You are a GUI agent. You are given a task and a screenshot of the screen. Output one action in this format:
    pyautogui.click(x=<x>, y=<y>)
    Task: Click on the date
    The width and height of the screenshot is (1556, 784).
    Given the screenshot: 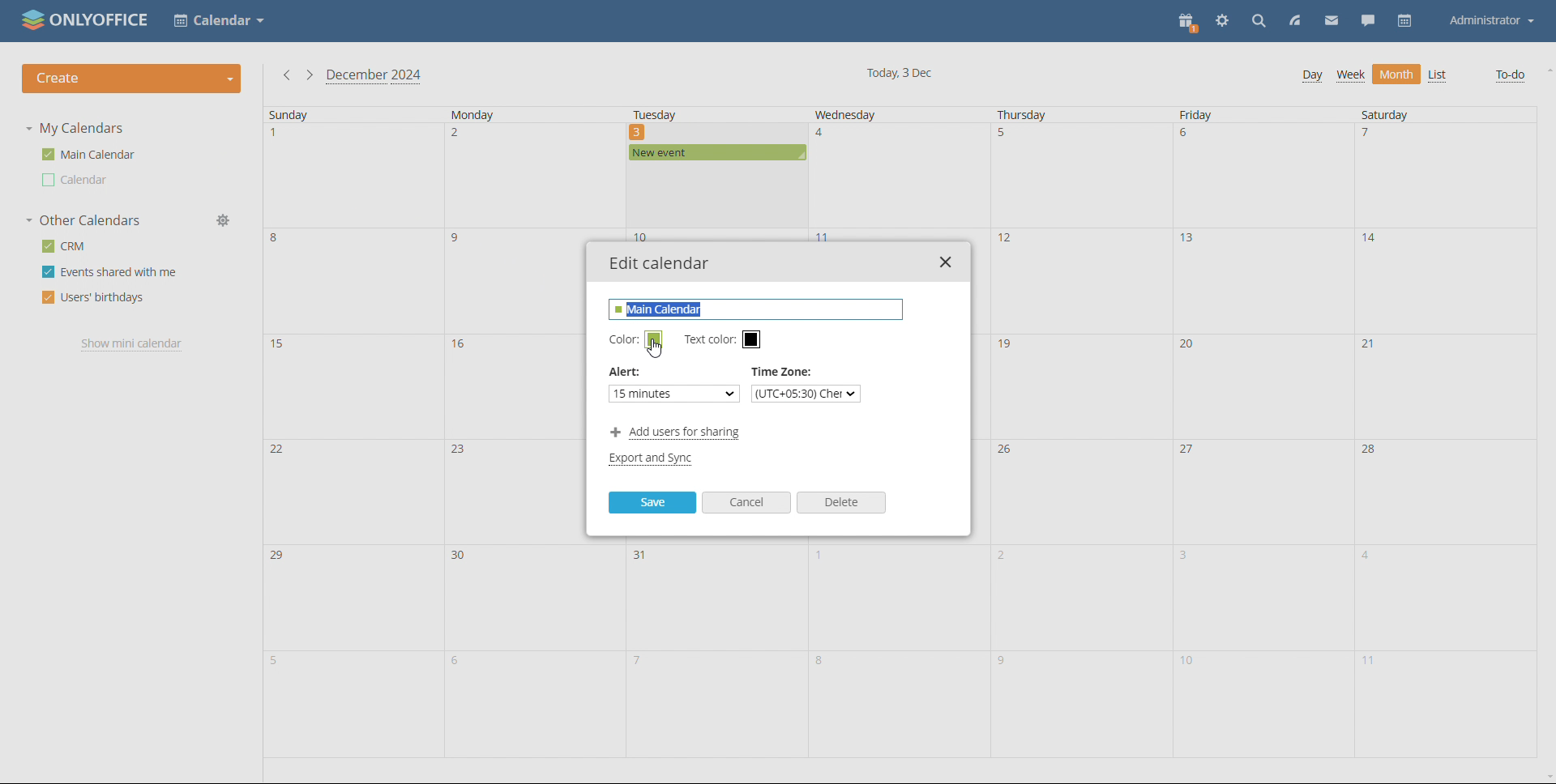 What is the action you would take?
    pyautogui.click(x=356, y=386)
    